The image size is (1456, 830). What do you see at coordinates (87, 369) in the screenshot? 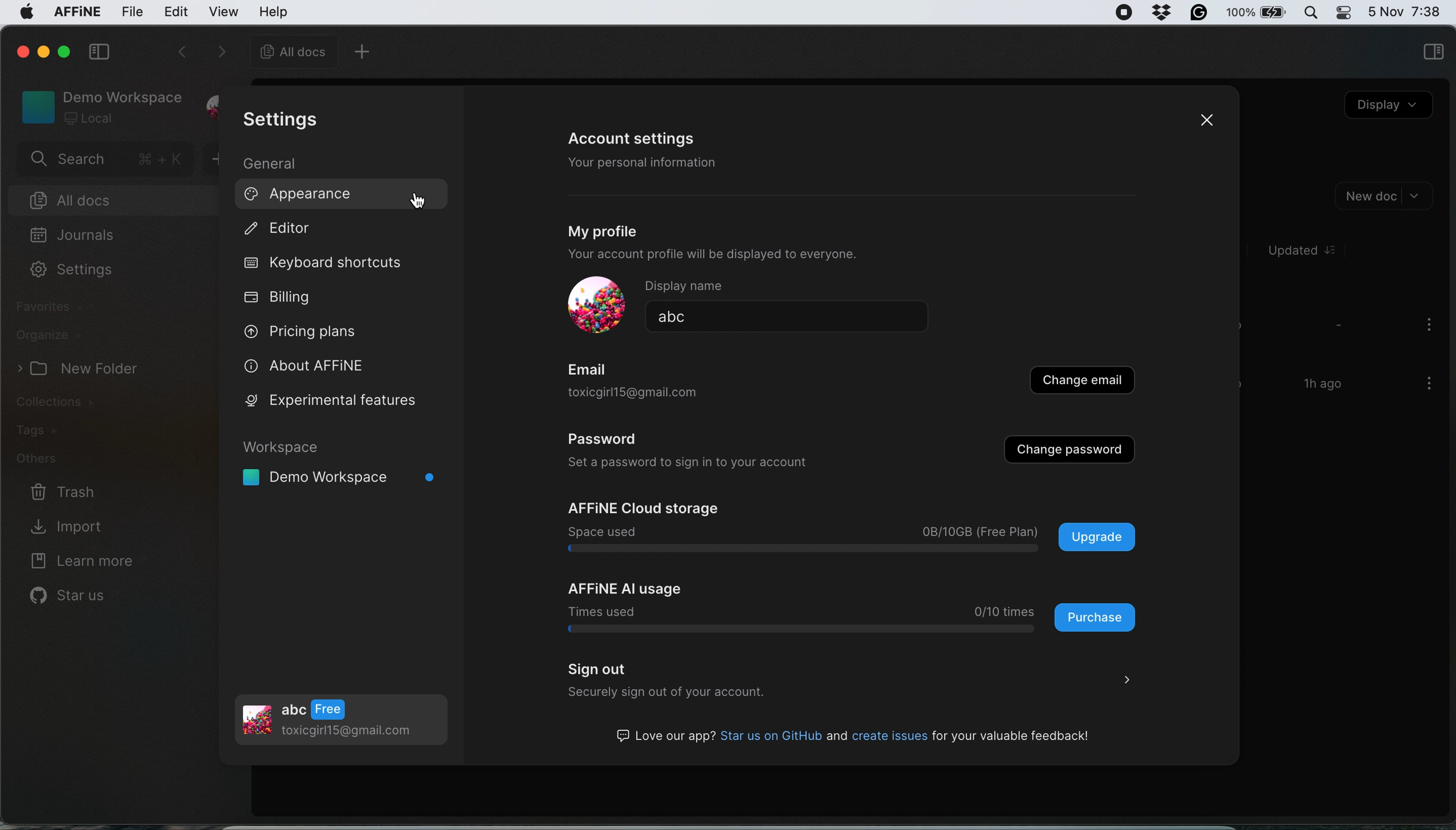
I see `> (J New Folder` at bounding box center [87, 369].